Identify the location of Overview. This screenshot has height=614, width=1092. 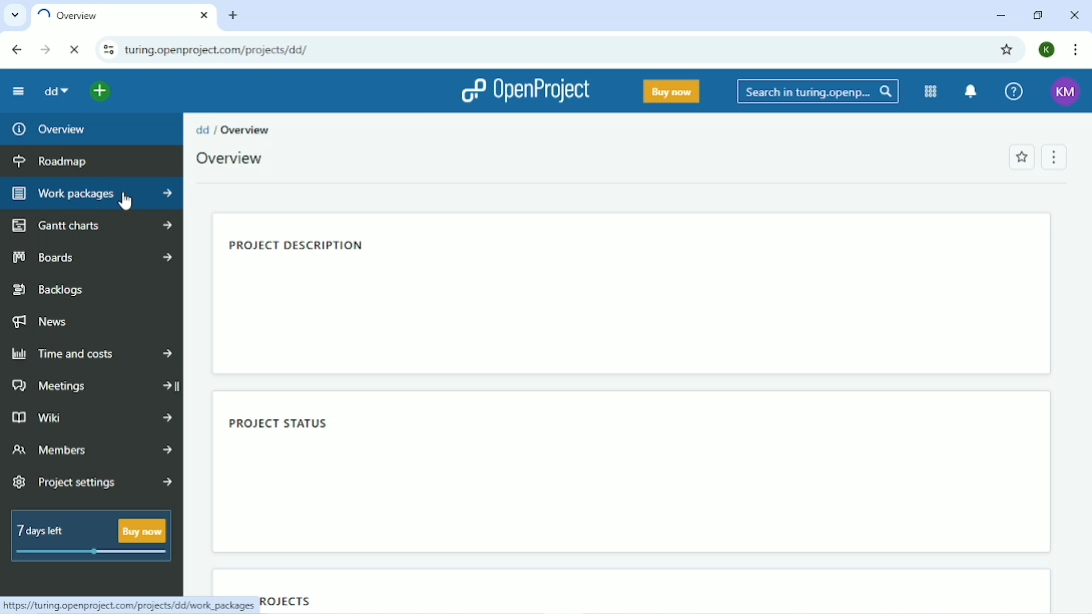
(230, 158).